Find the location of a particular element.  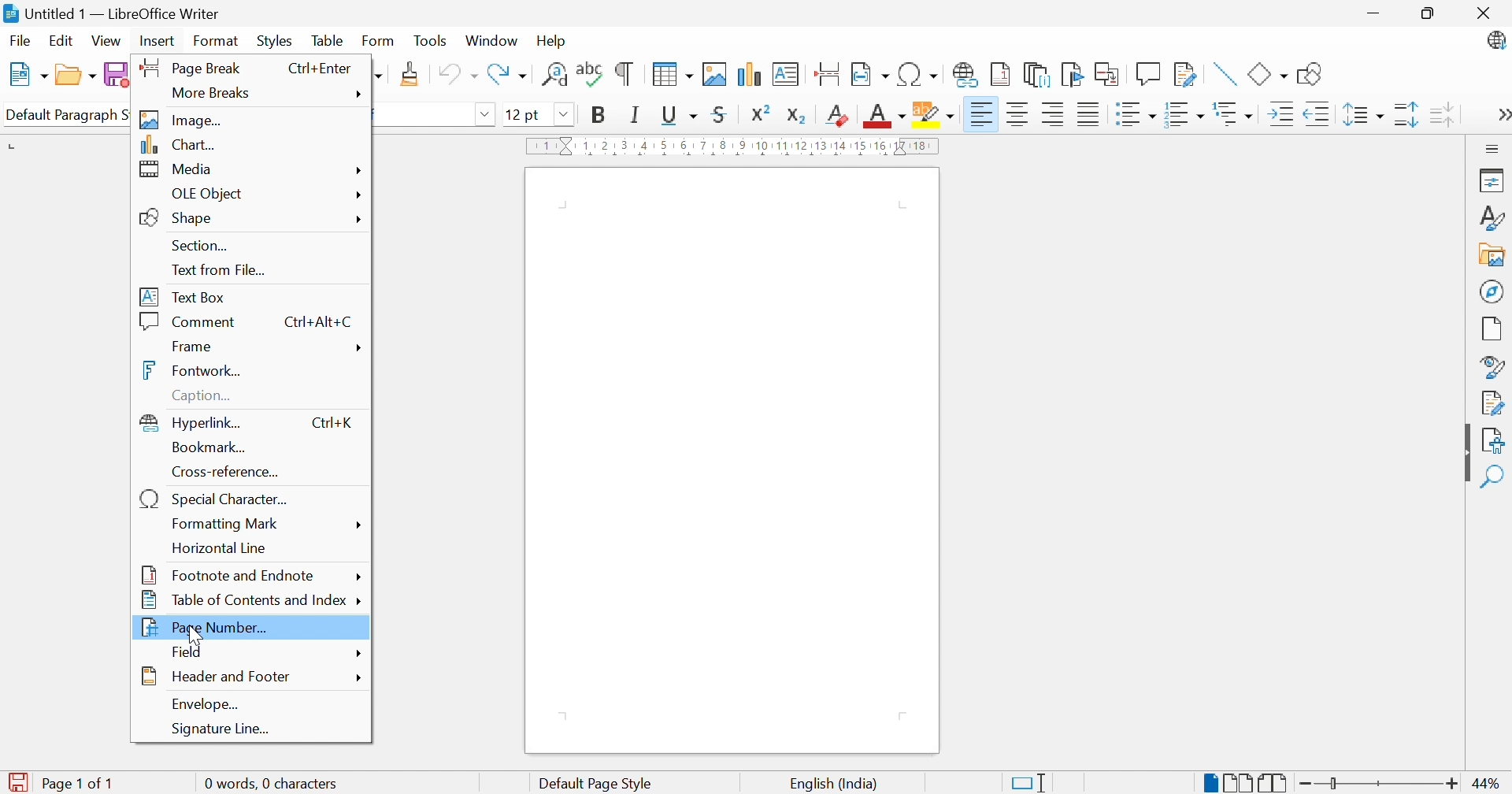

Insert field is located at coordinates (872, 73).